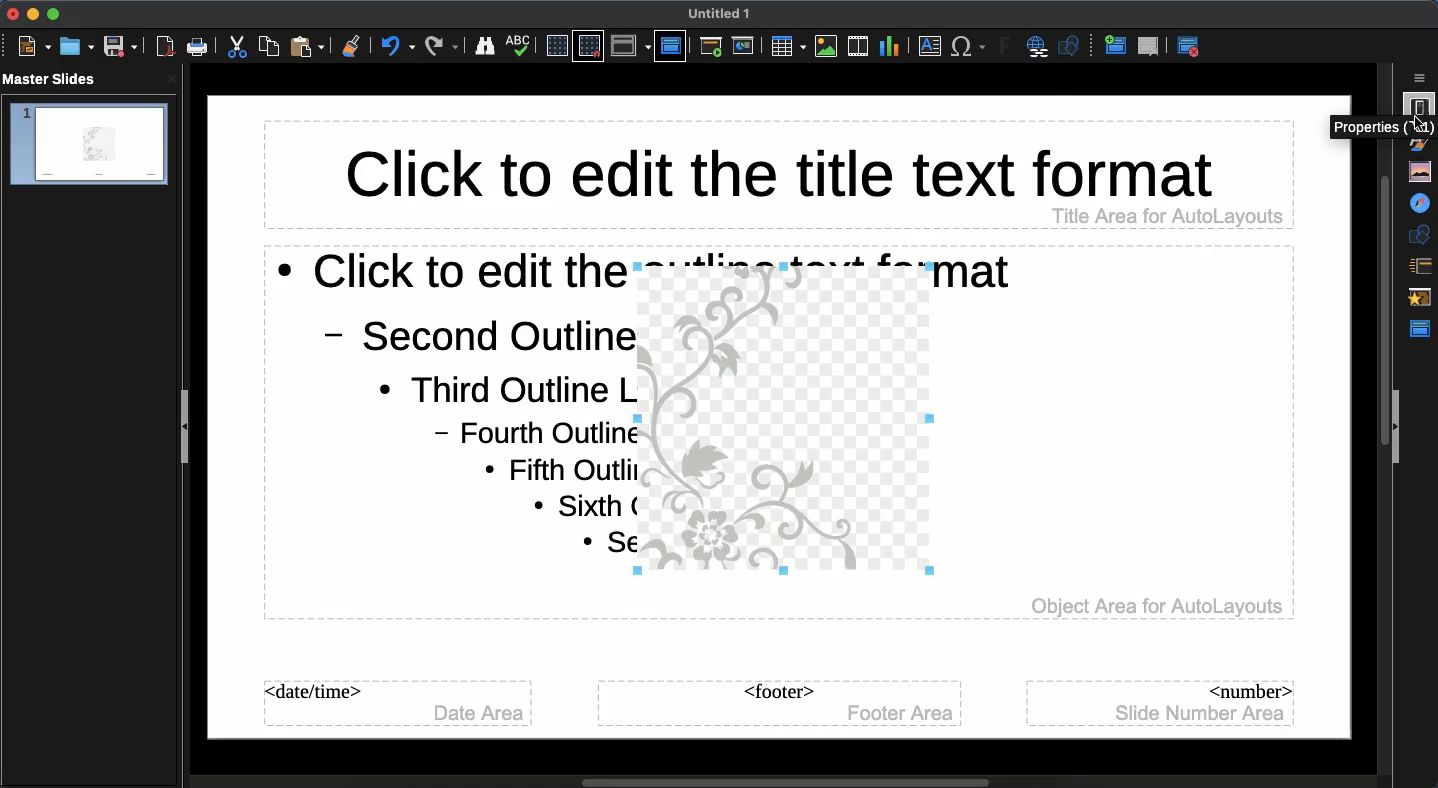 The width and height of the screenshot is (1438, 788). I want to click on Master slide, so click(1423, 329).